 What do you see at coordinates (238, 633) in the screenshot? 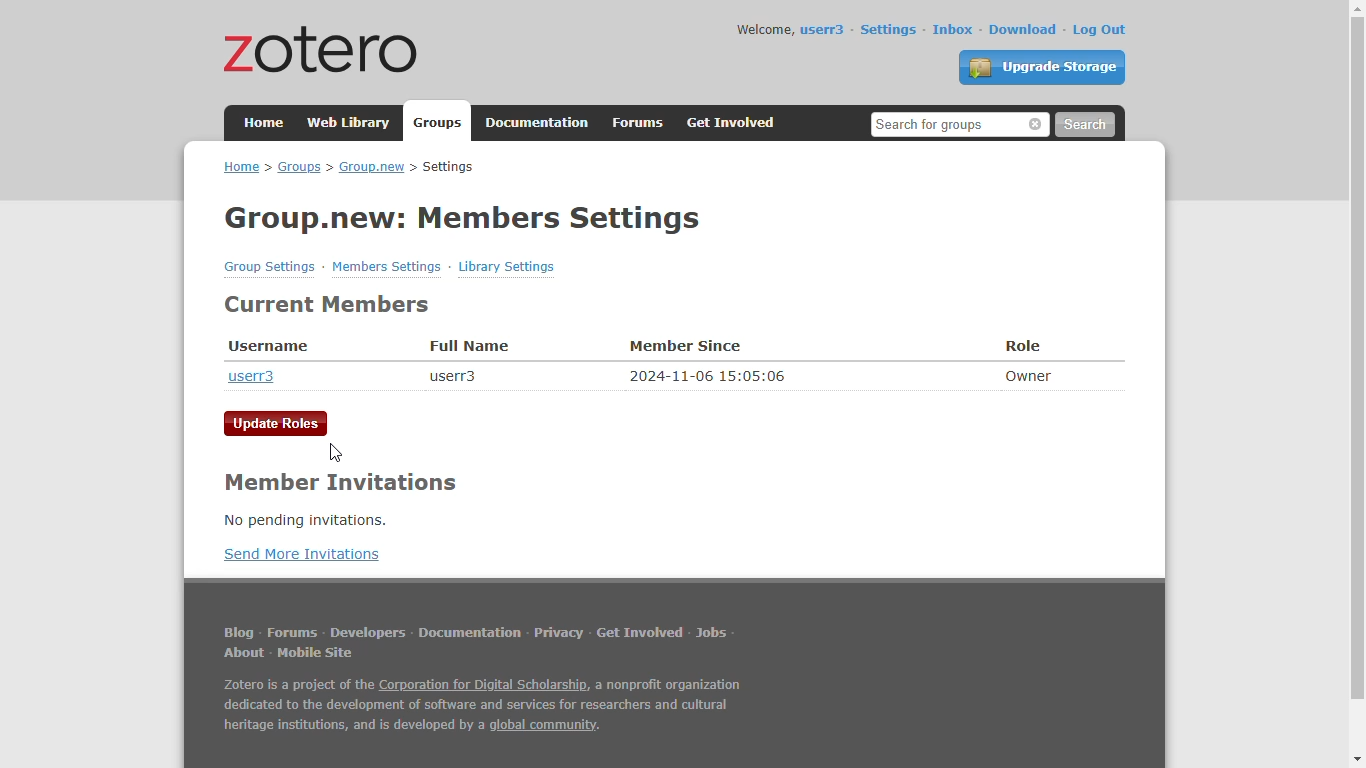
I see `blog` at bounding box center [238, 633].